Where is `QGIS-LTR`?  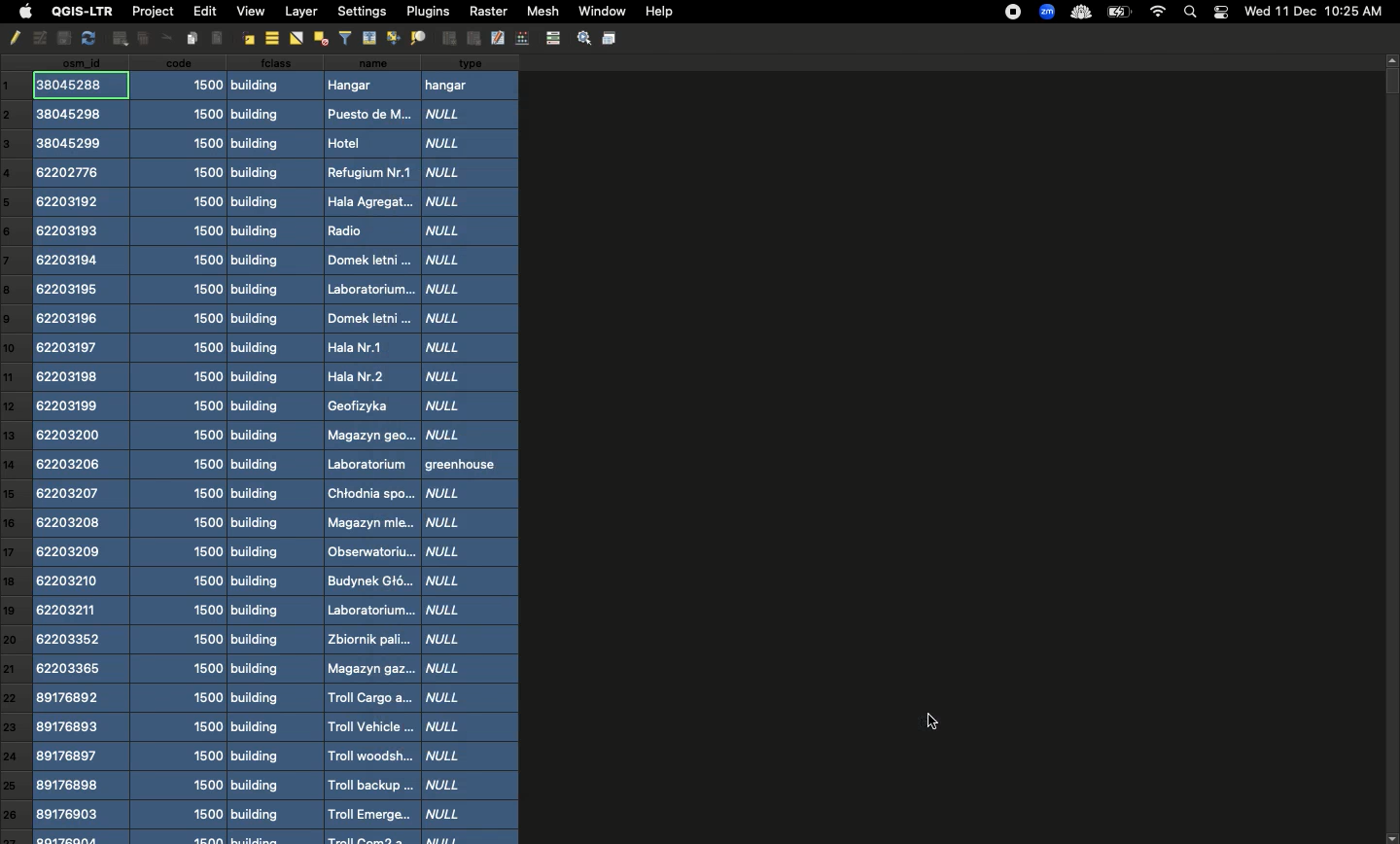
QGIS-LTR is located at coordinates (79, 12).